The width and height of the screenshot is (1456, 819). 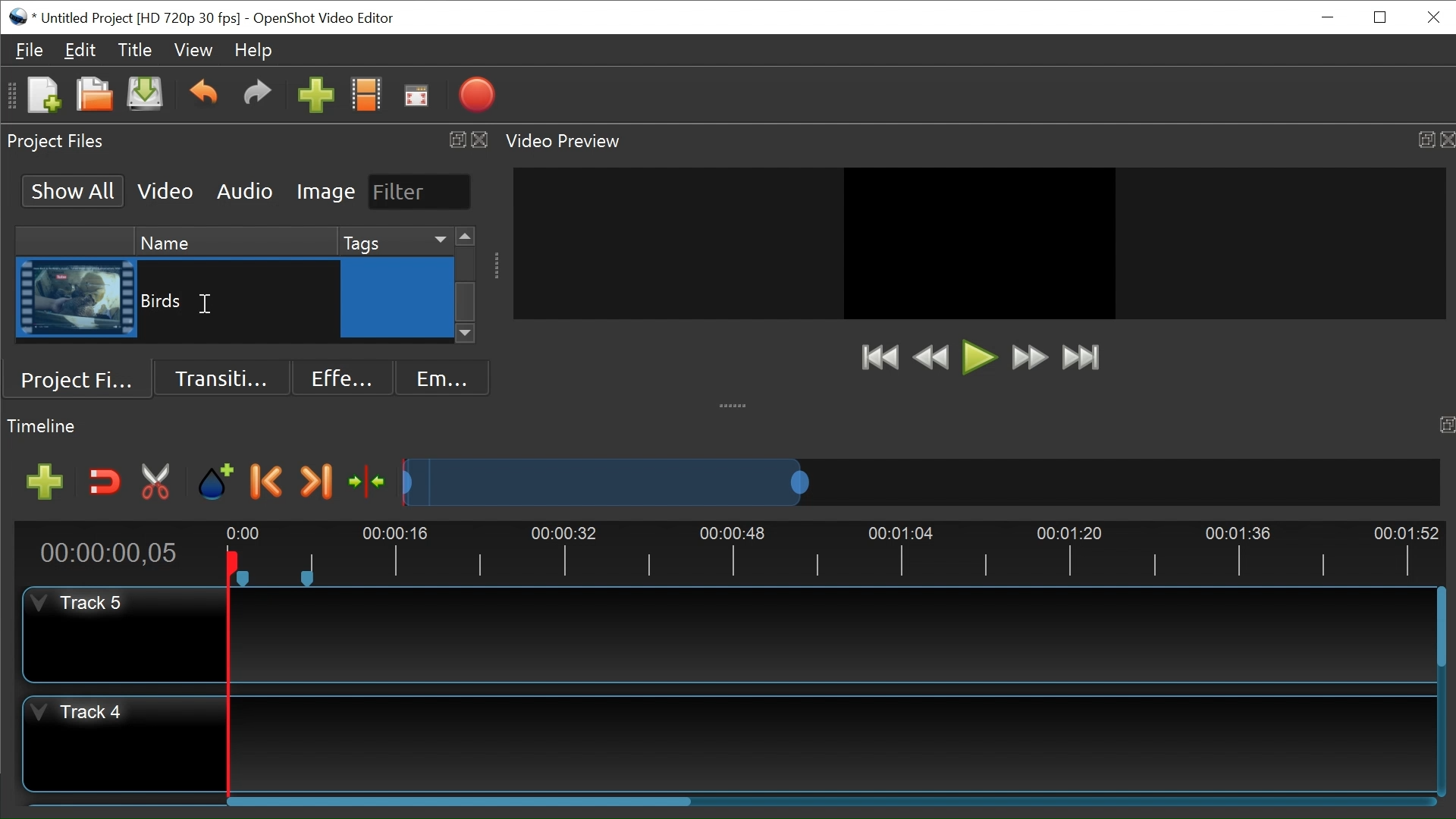 What do you see at coordinates (466, 335) in the screenshot?
I see `Scroll down` at bounding box center [466, 335].